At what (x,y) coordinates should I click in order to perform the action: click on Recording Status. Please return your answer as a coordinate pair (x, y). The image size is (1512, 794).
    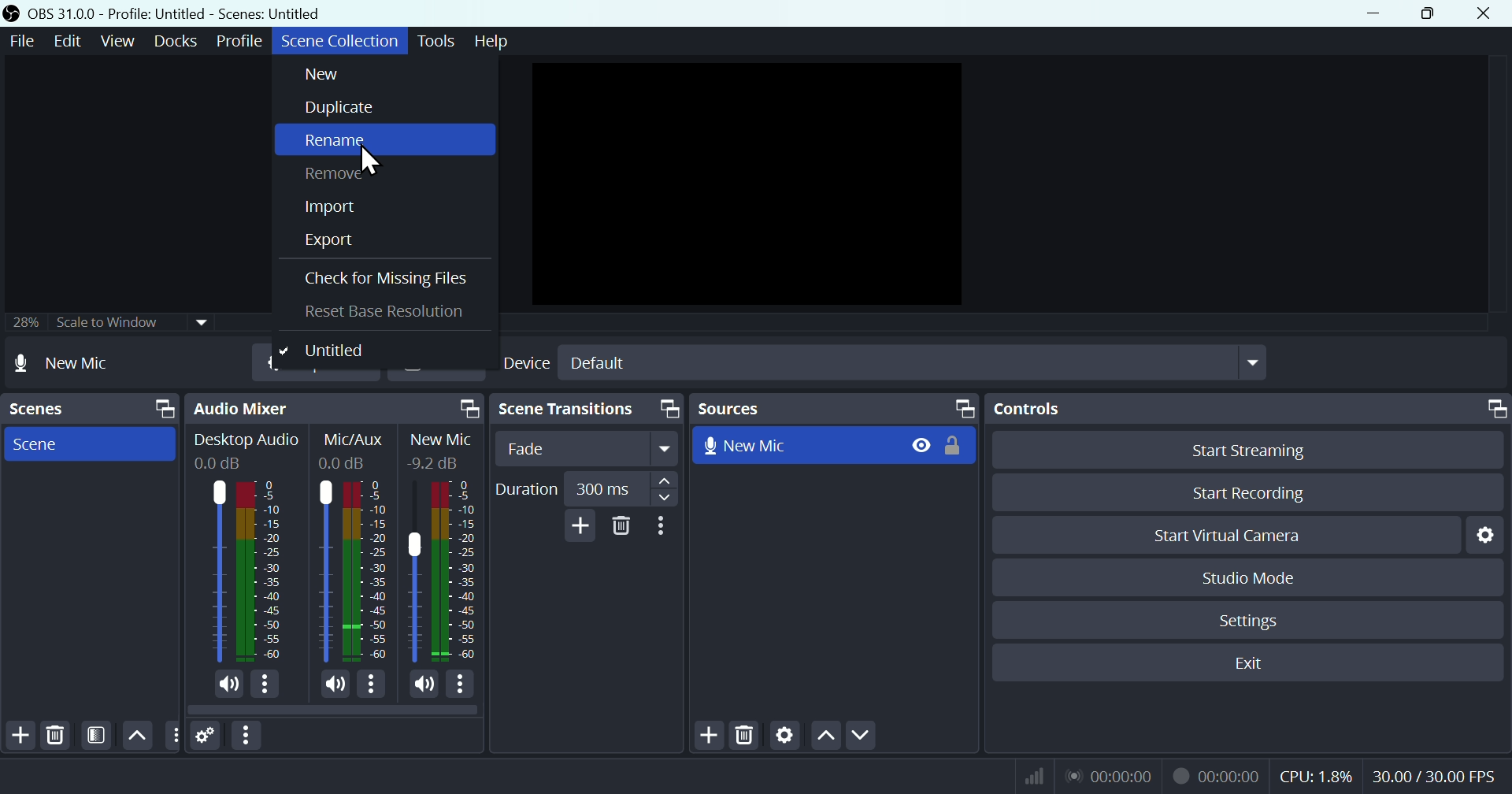
    Looking at the image, I should click on (1215, 776).